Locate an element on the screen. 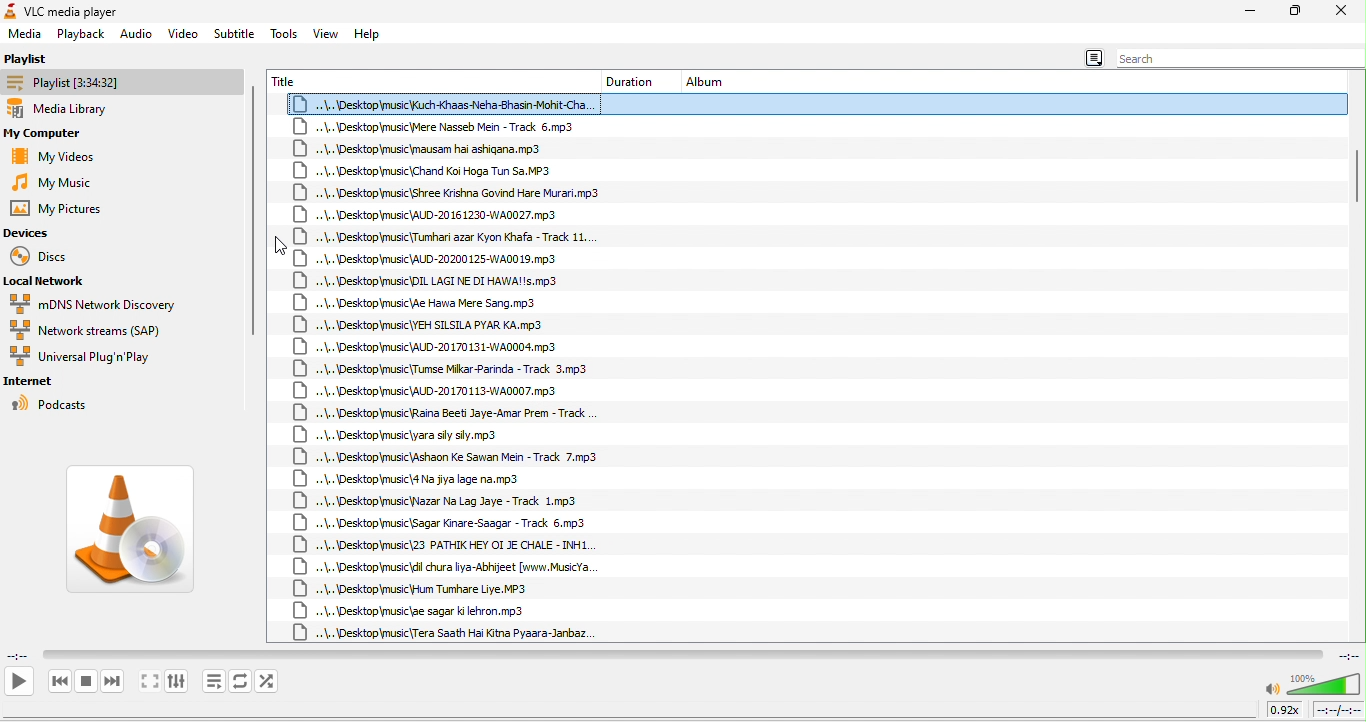  local network is located at coordinates (53, 279).